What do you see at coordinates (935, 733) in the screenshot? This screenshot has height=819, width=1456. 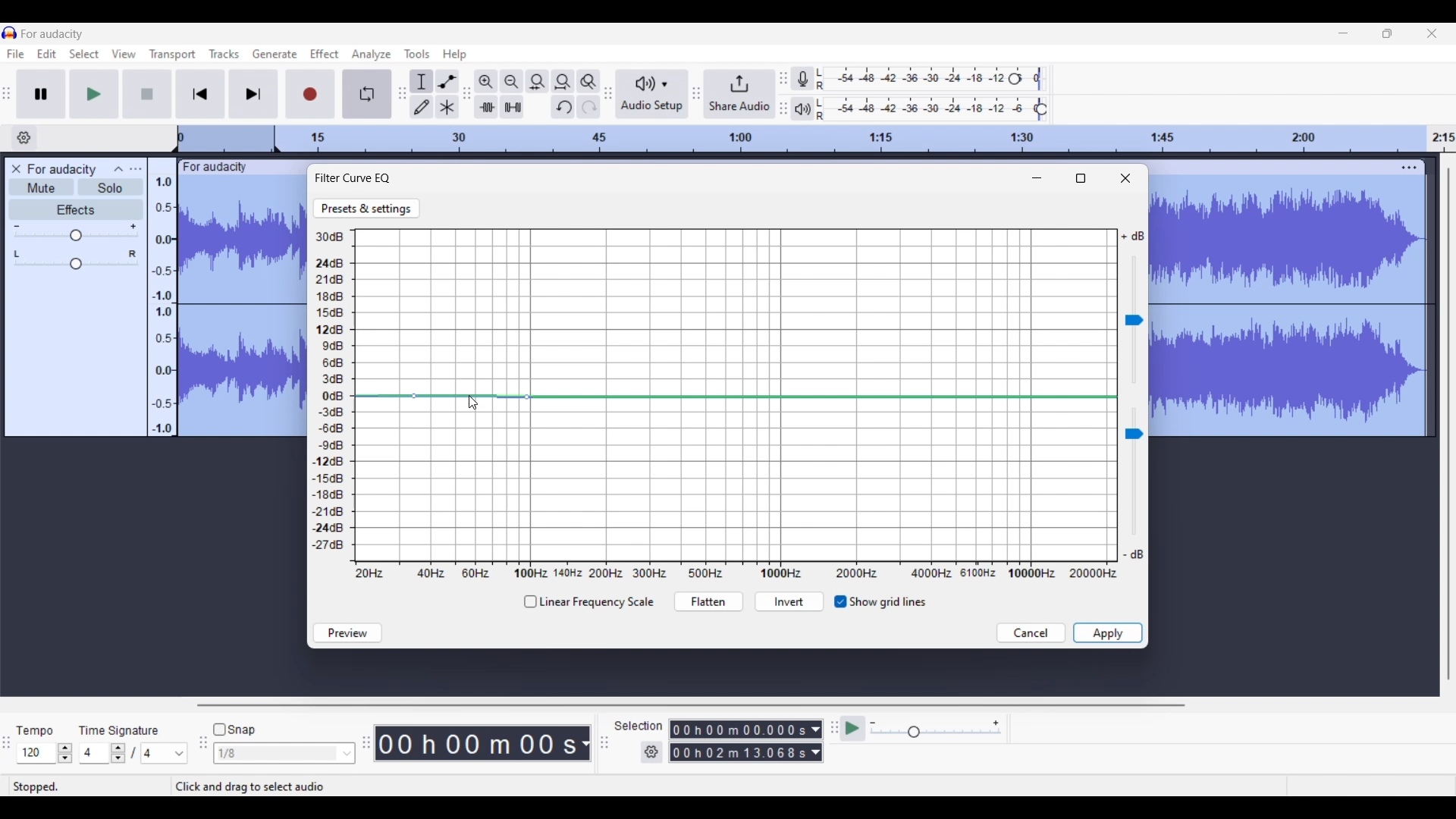 I see `Change playback speed` at bounding box center [935, 733].